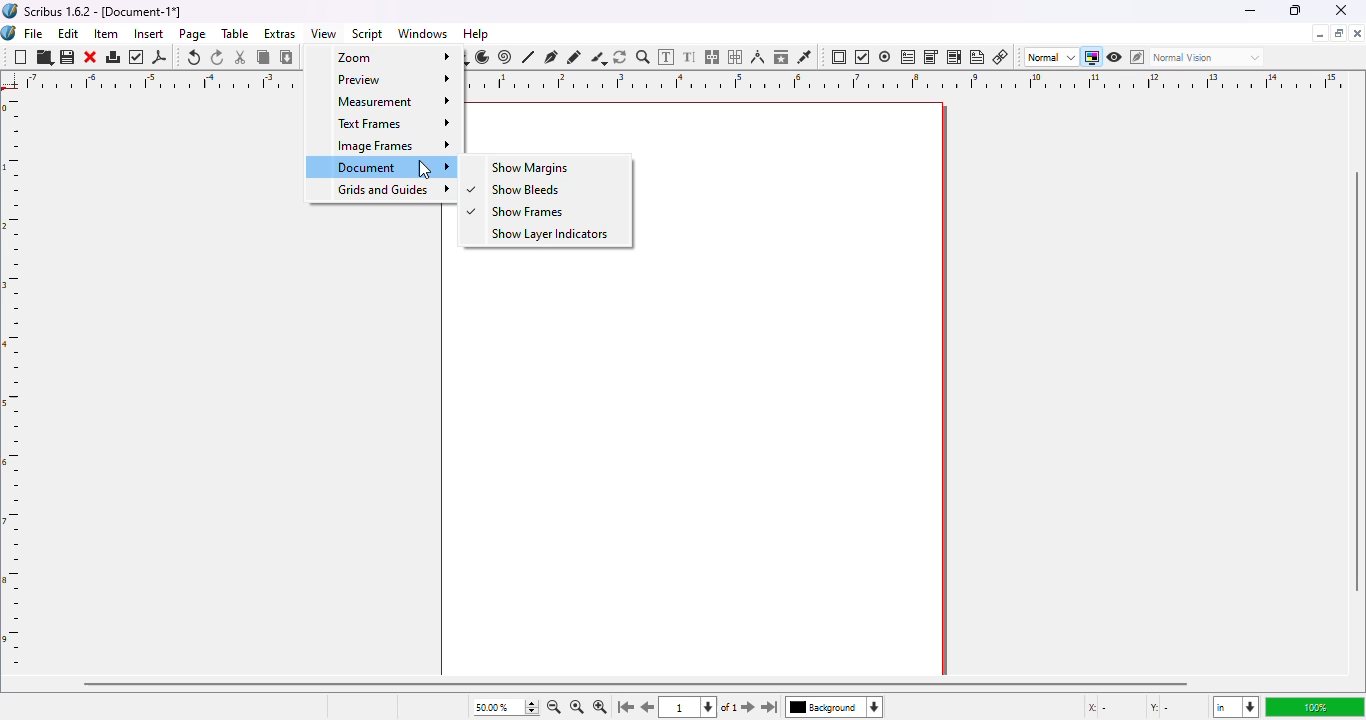  Describe the element at coordinates (690, 57) in the screenshot. I see `edit text with story editor` at that location.